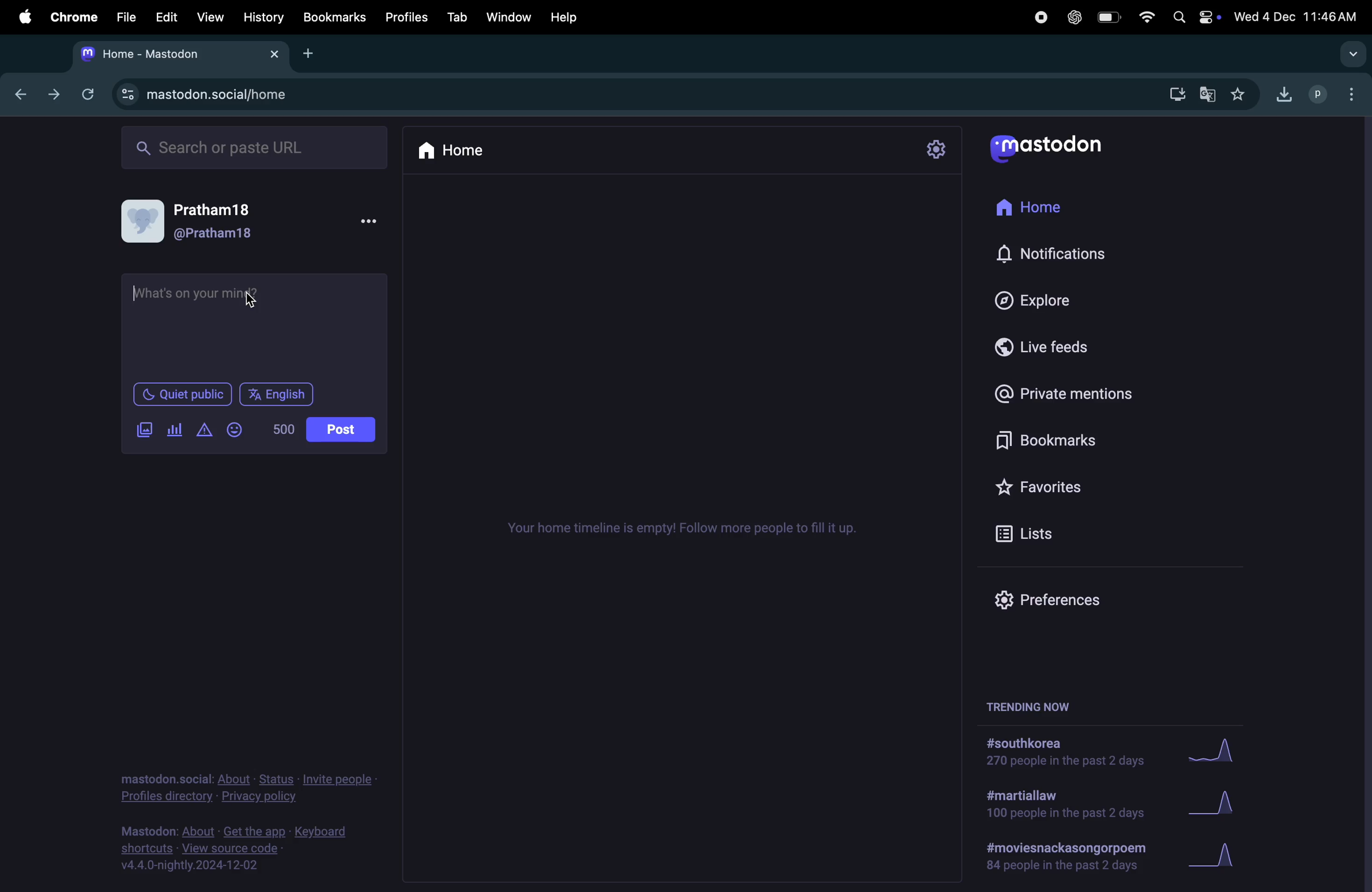  What do you see at coordinates (1063, 807) in the screenshot?
I see `#martiallaw` at bounding box center [1063, 807].